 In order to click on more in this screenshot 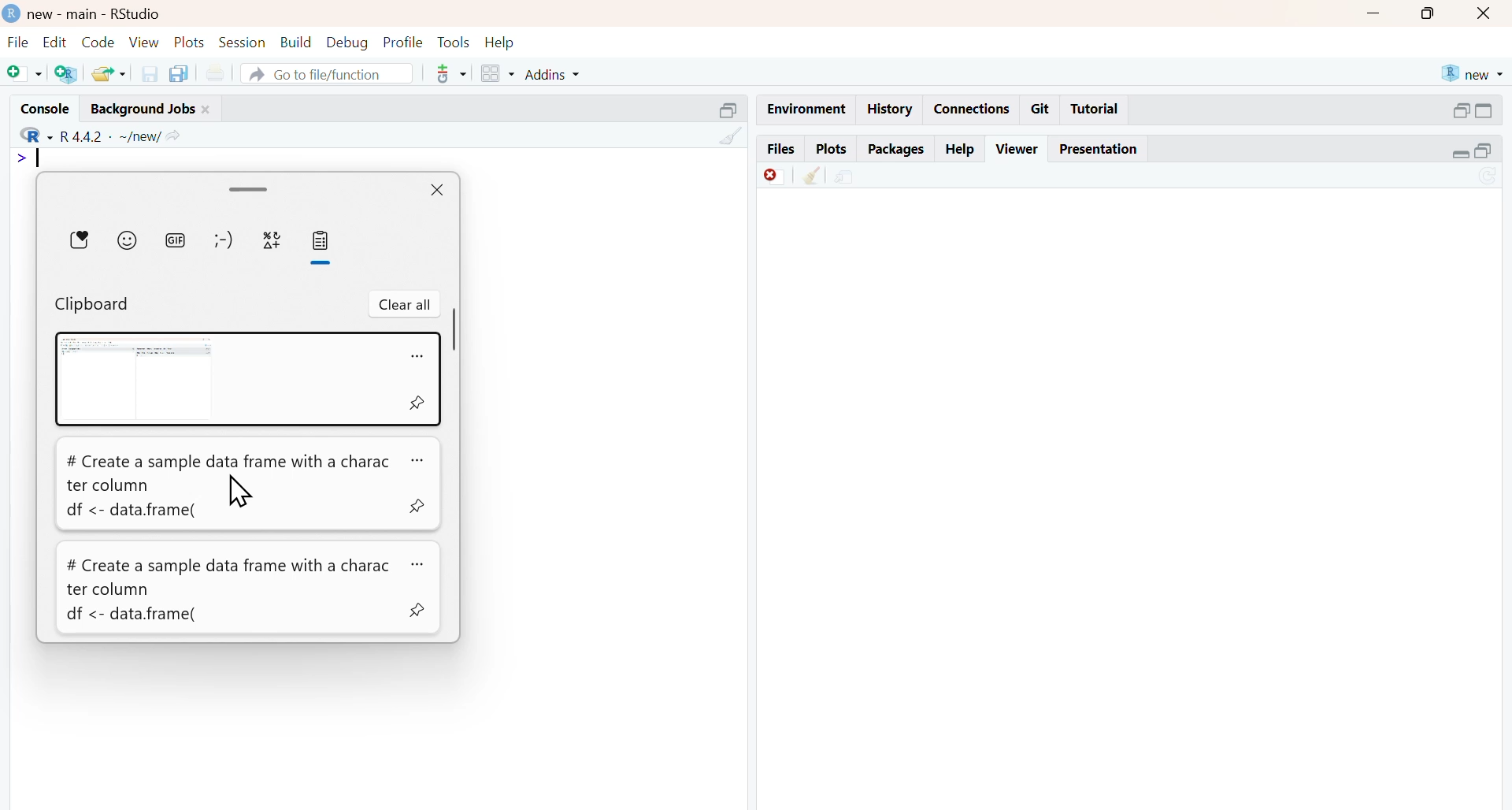, I will do `click(416, 565)`.